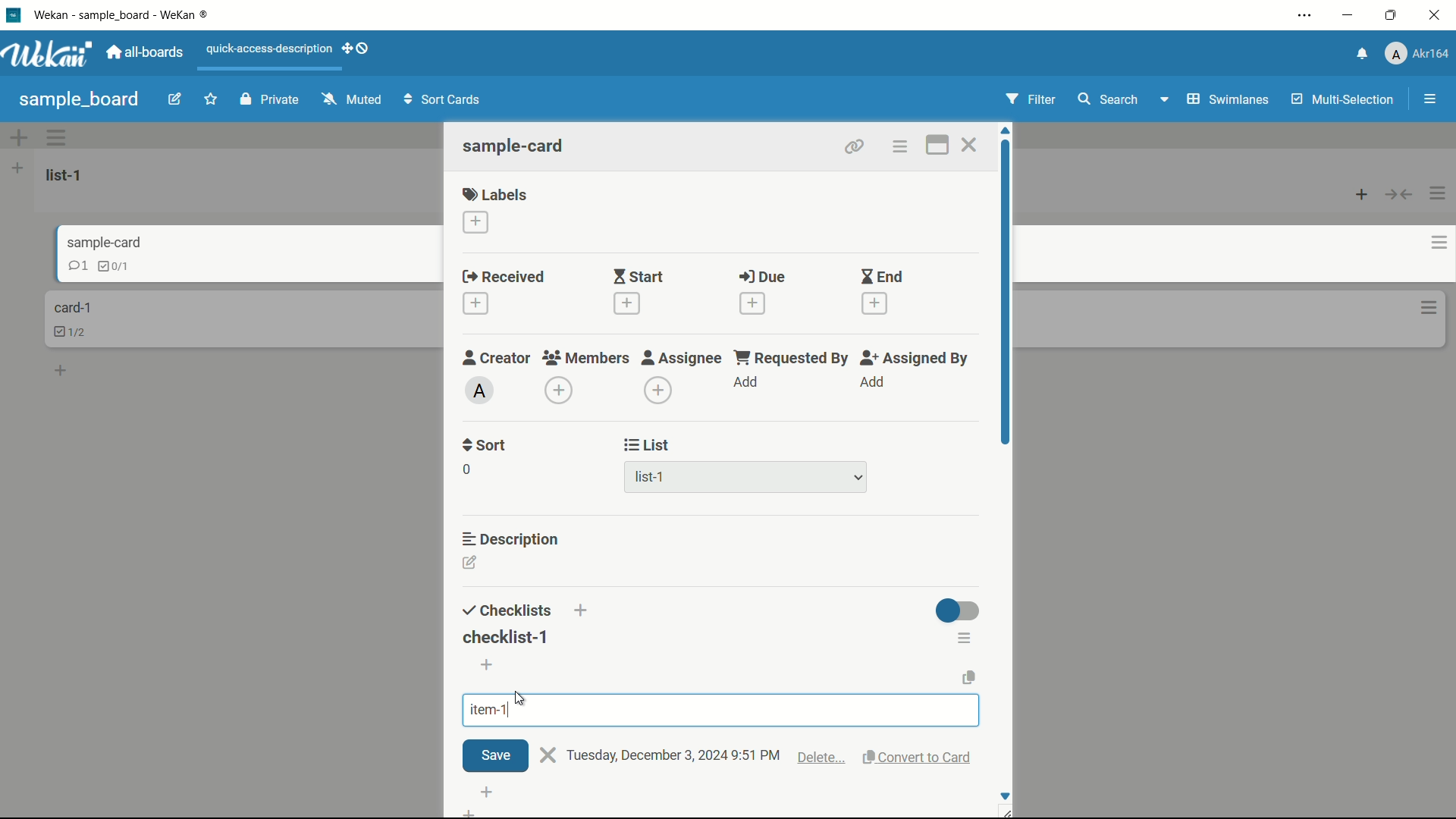  Describe the element at coordinates (488, 665) in the screenshot. I see `add item` at that location.